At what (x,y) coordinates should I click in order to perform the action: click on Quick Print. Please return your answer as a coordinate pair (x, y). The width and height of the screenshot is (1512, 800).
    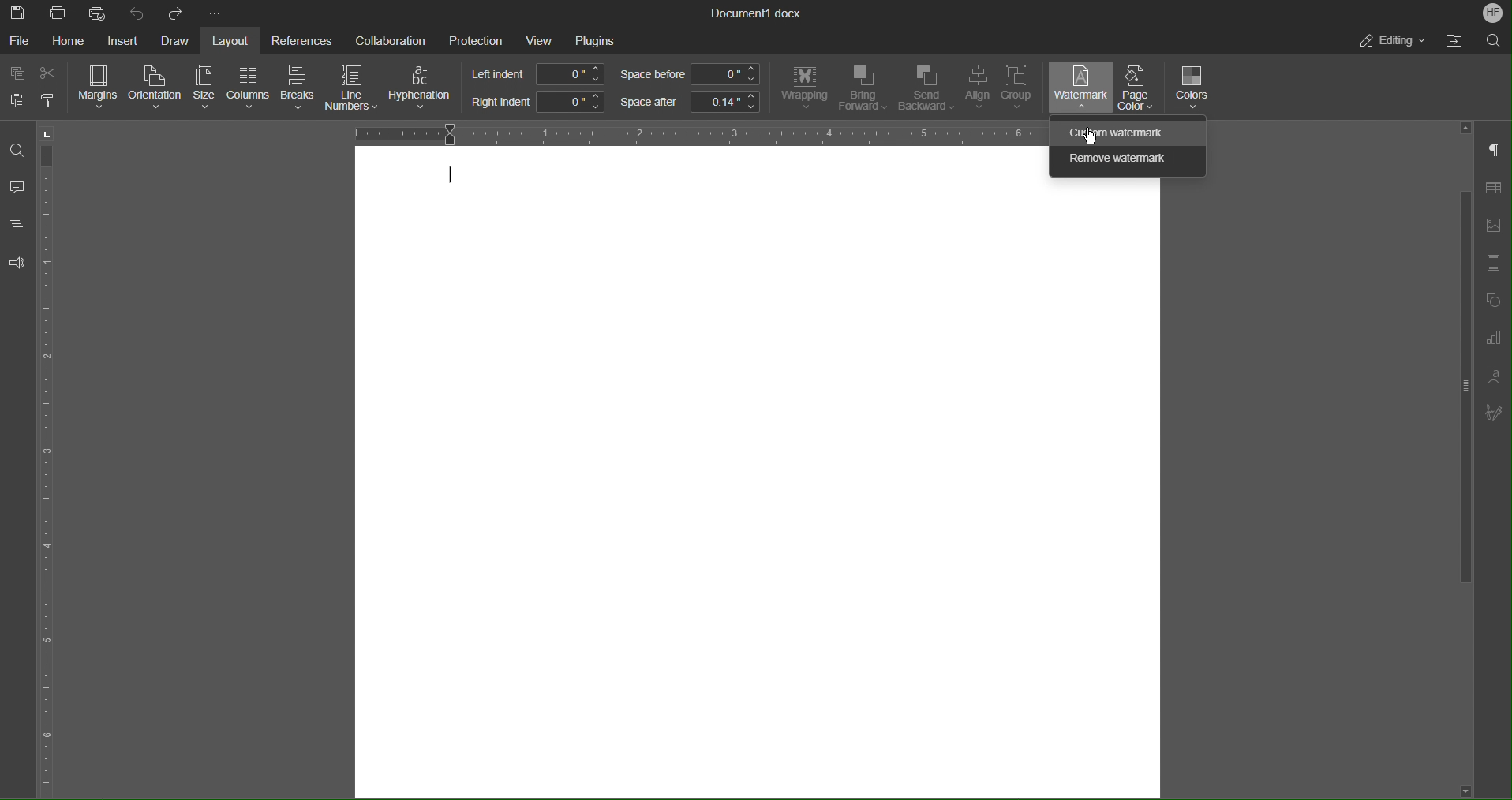
    Looking at the image, I should click on (99, 13).